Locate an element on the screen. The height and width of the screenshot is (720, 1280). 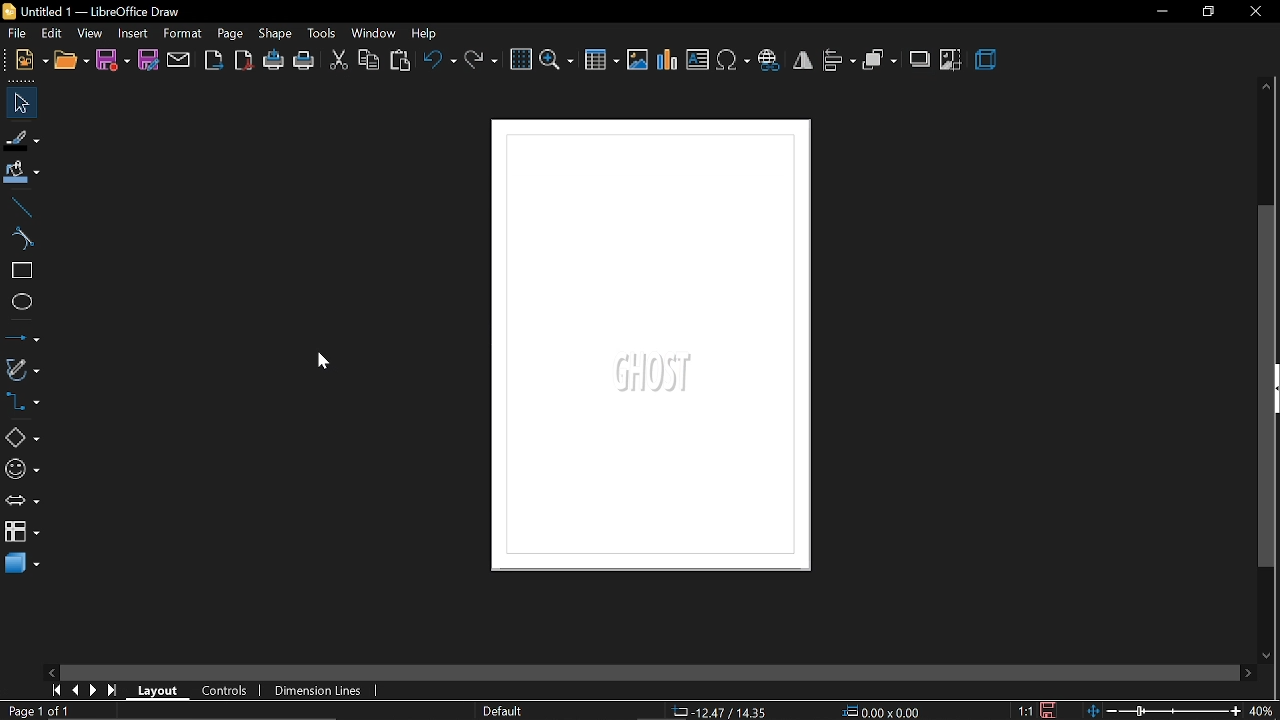
export as pdf is located at coordinates (244, 61).